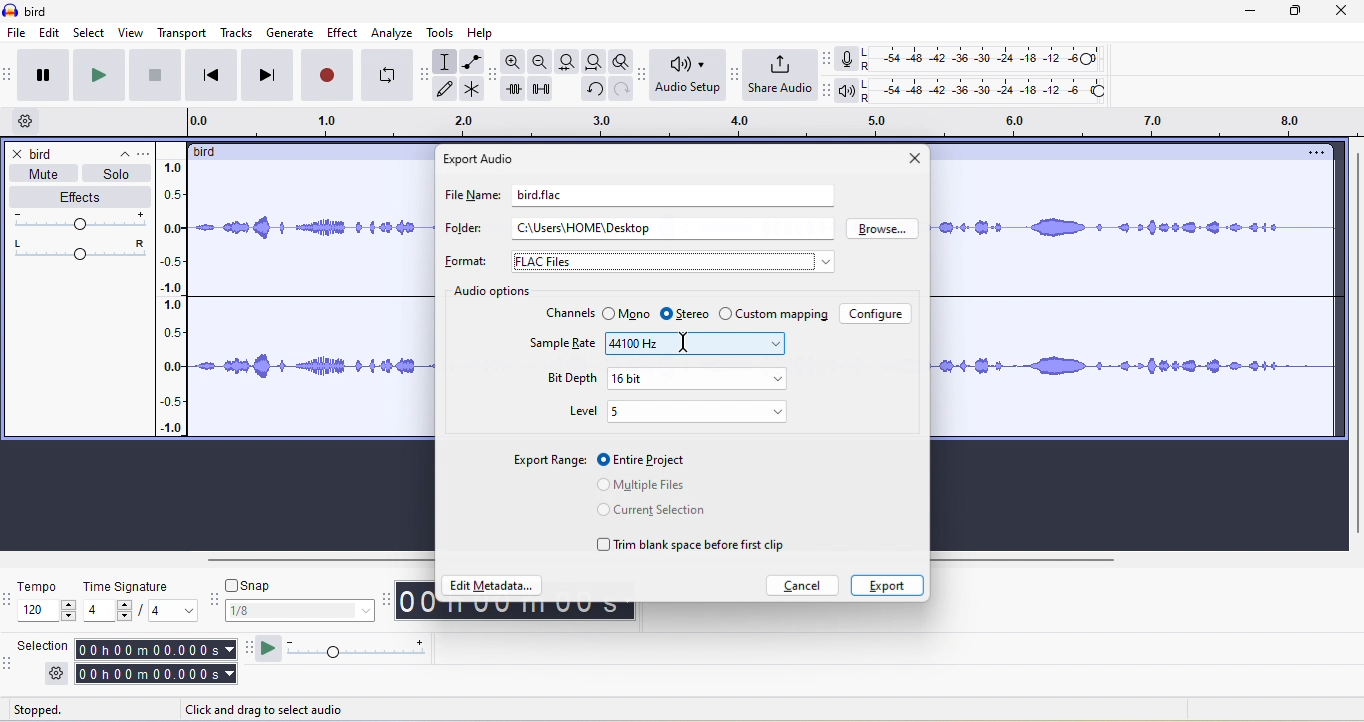 This screenshot has width=1364, height=722. Describe the element at coordinates (695, 343) in the screenshot. I see `44100 Hz` at that location.